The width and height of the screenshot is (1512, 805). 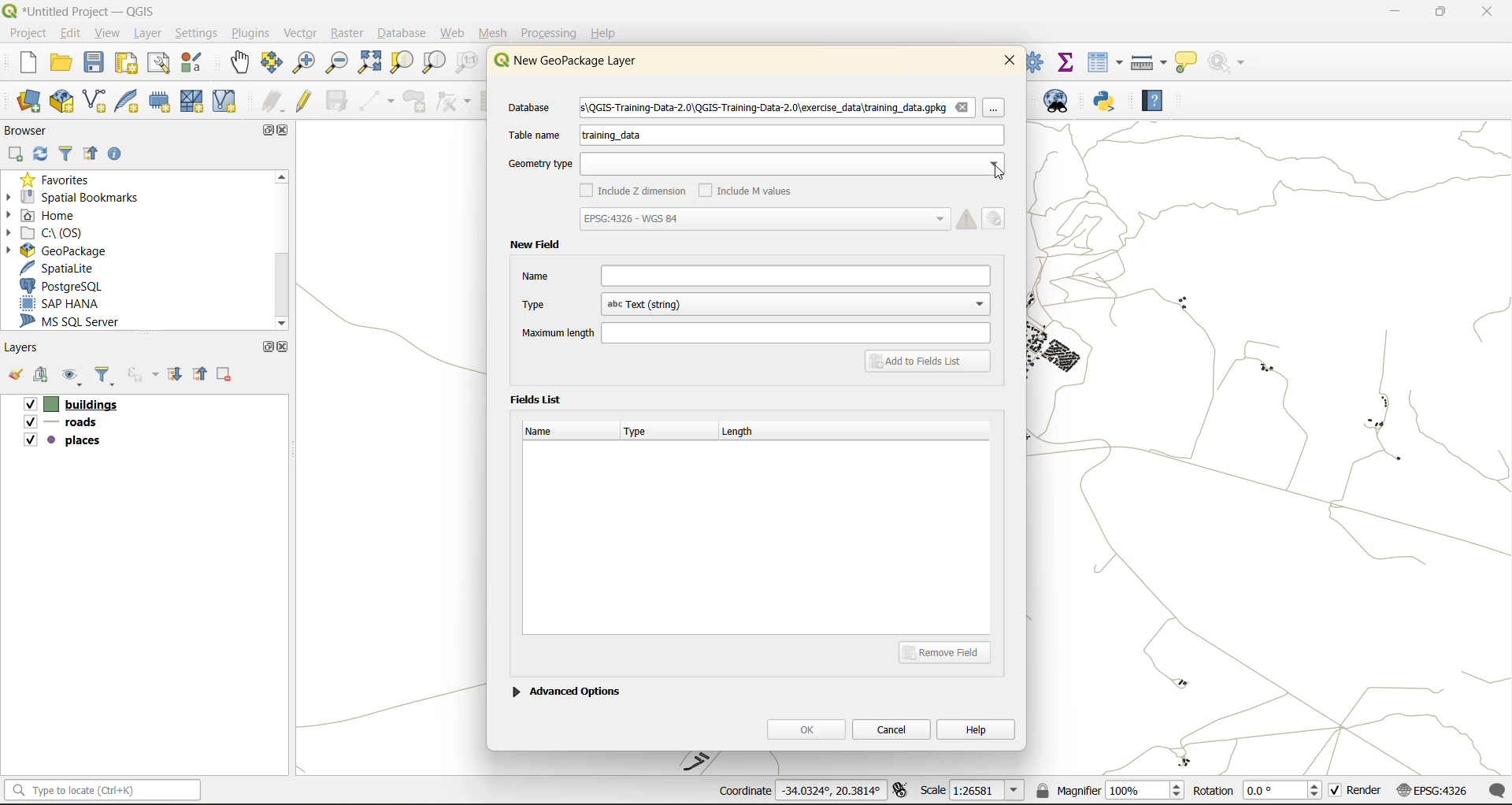 I want to click on close, so click(x=1010, y=59).